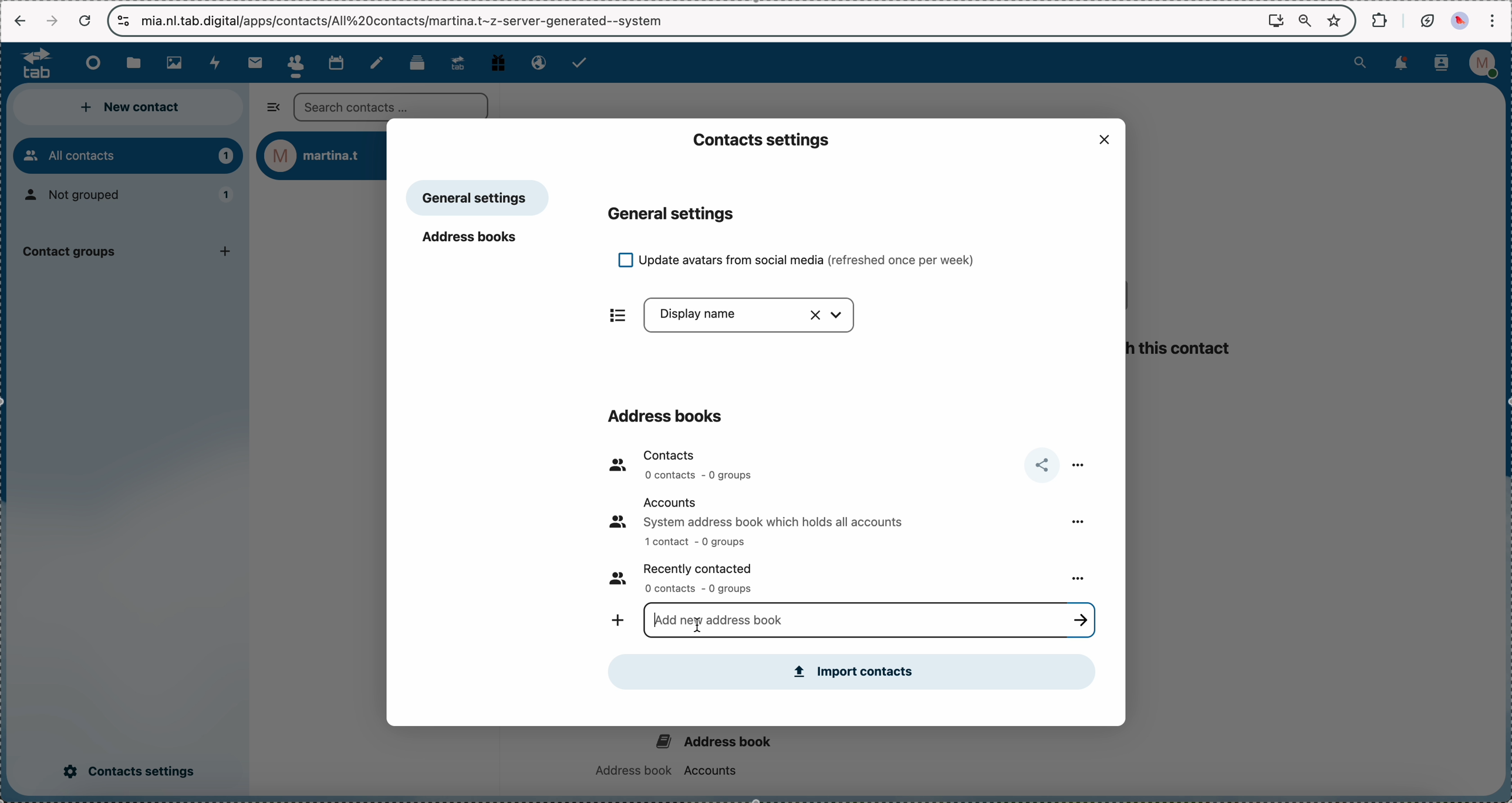 The height and width of the screenshot is (803, 1512). I want to click on activity, so click(218, 63).